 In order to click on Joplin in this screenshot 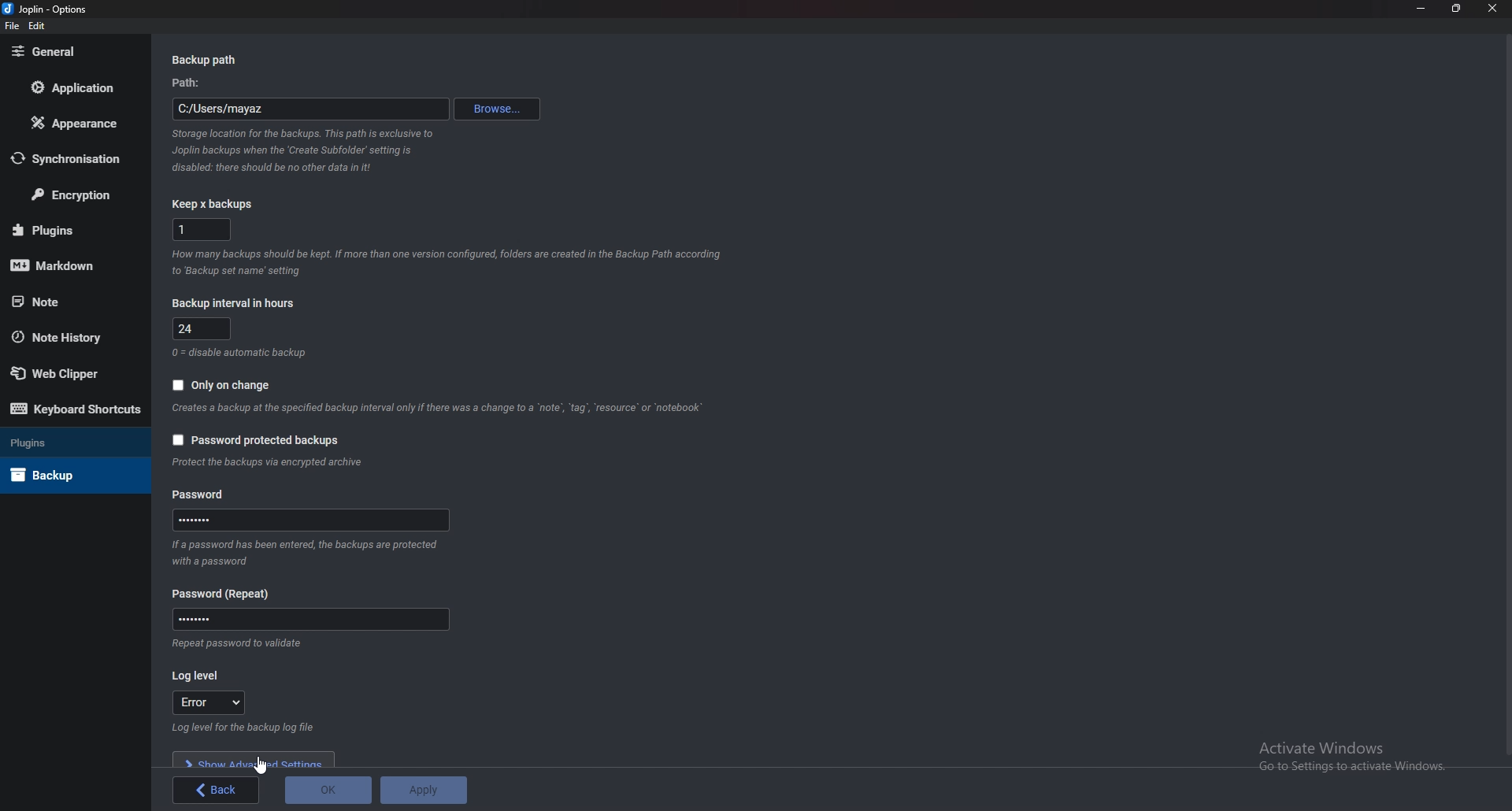, I will do `click(43, 9)`.